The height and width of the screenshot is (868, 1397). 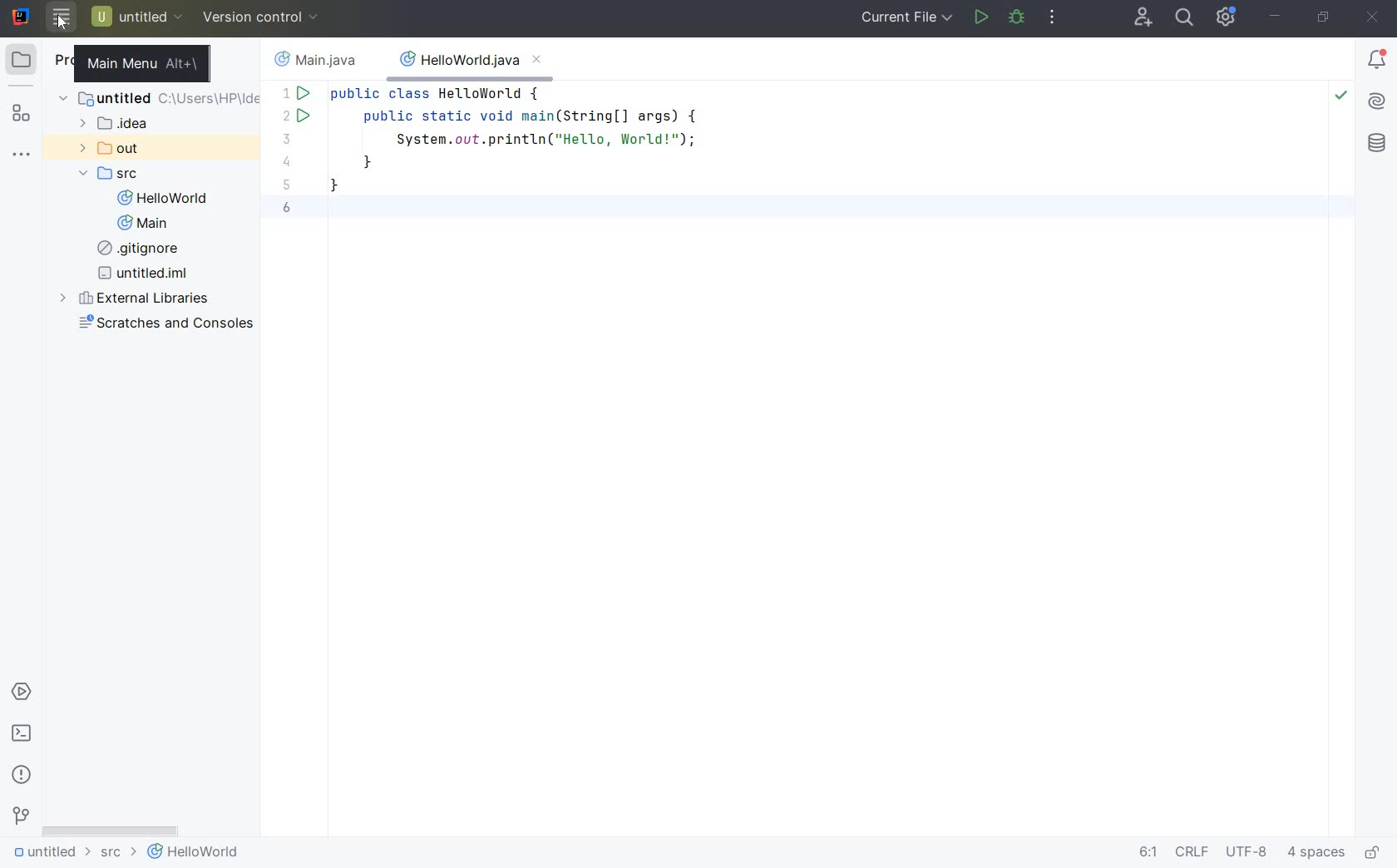 What do you see at coordinates (32, 59) in the screenshot?
I see `project` at bounding box center [32, 59].